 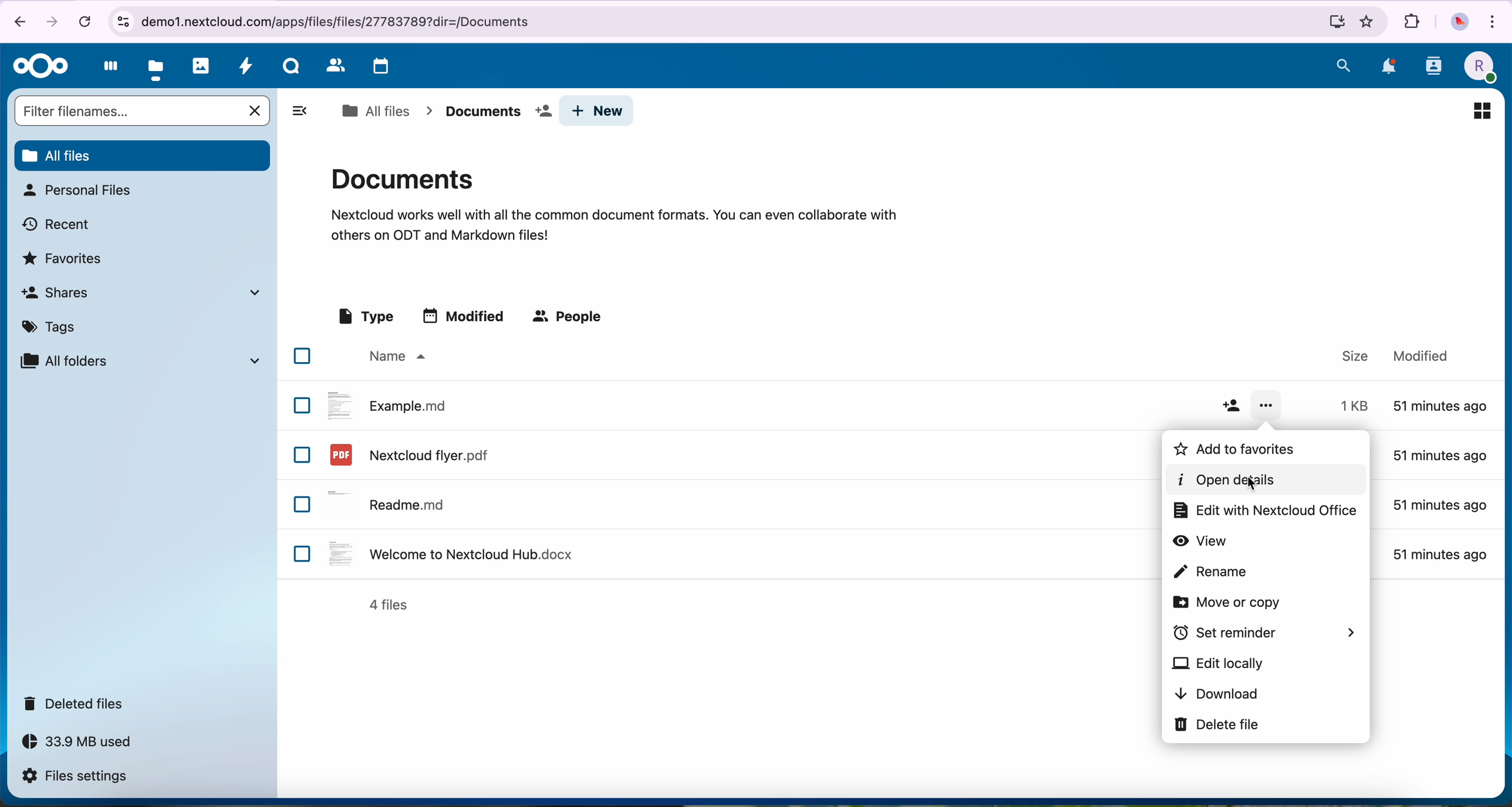 What do you see at coordinates (1386, 66) in the screenshot?
I see `notifications` at bounding box center [1386, 66].